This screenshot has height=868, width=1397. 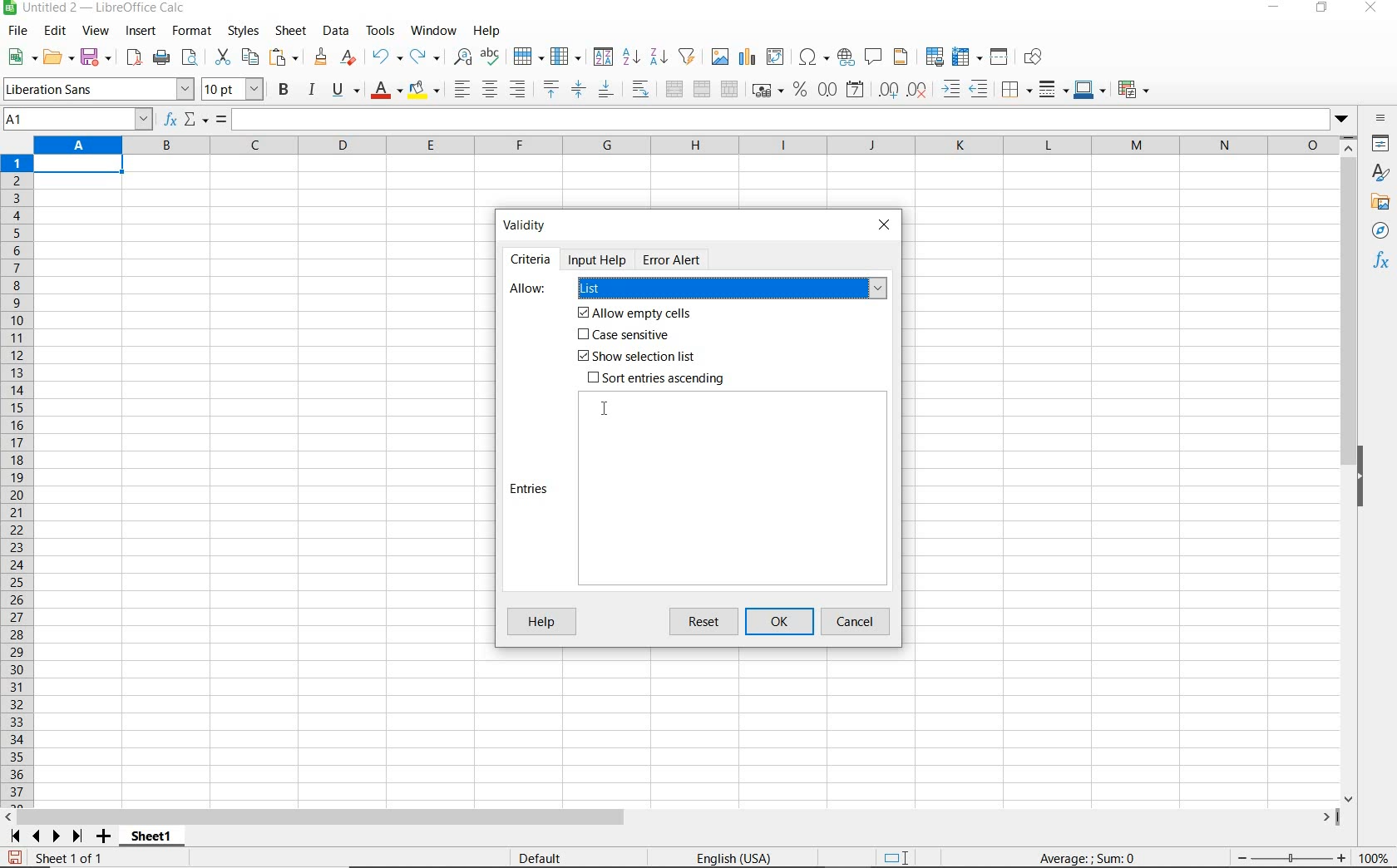 What do you see at coordinates (856, 89) in the screenshot?
I see `format as date` at bounding box center [856, 89].